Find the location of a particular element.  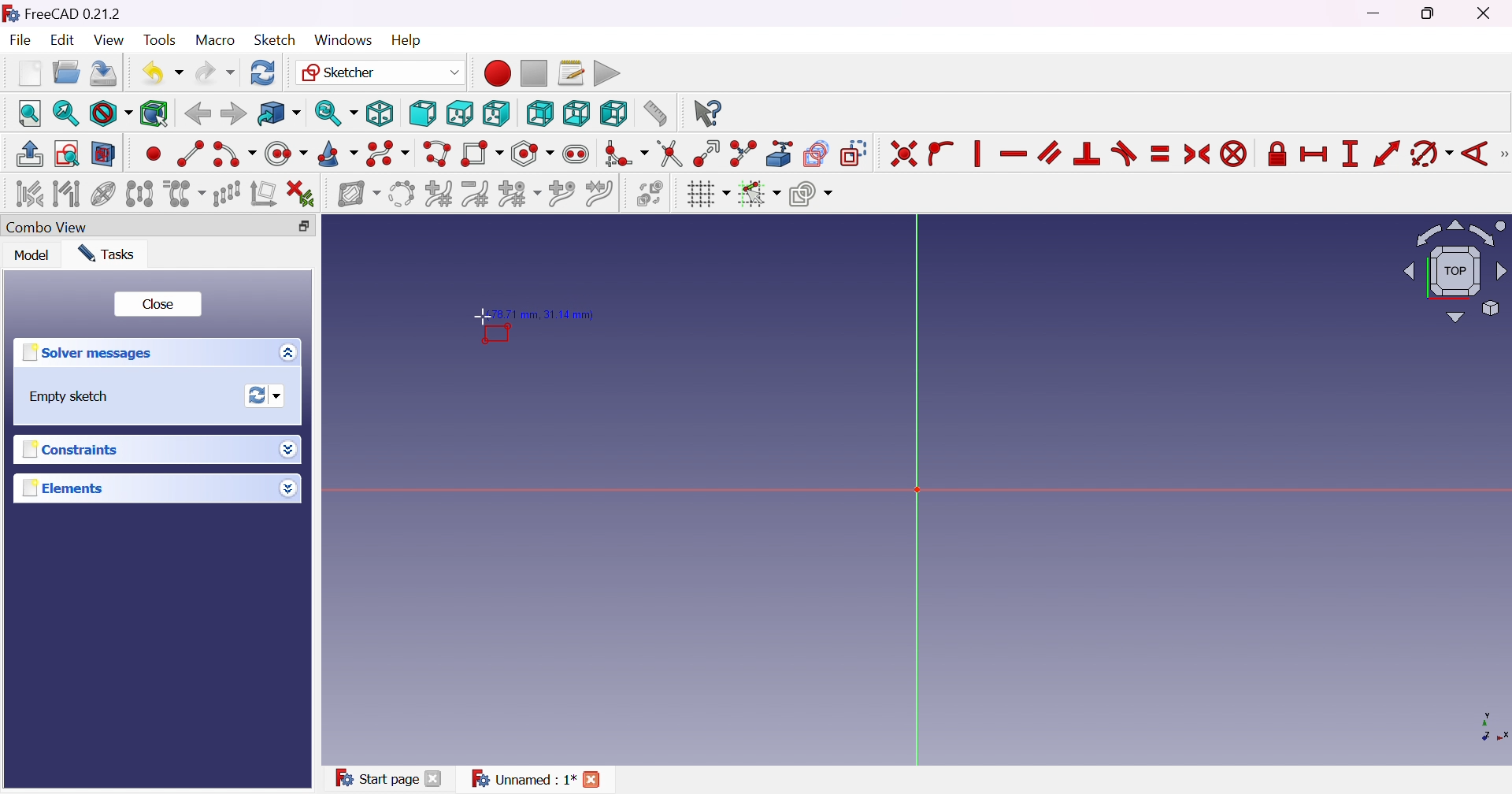

Bottom is located at coordinates (576, 113).